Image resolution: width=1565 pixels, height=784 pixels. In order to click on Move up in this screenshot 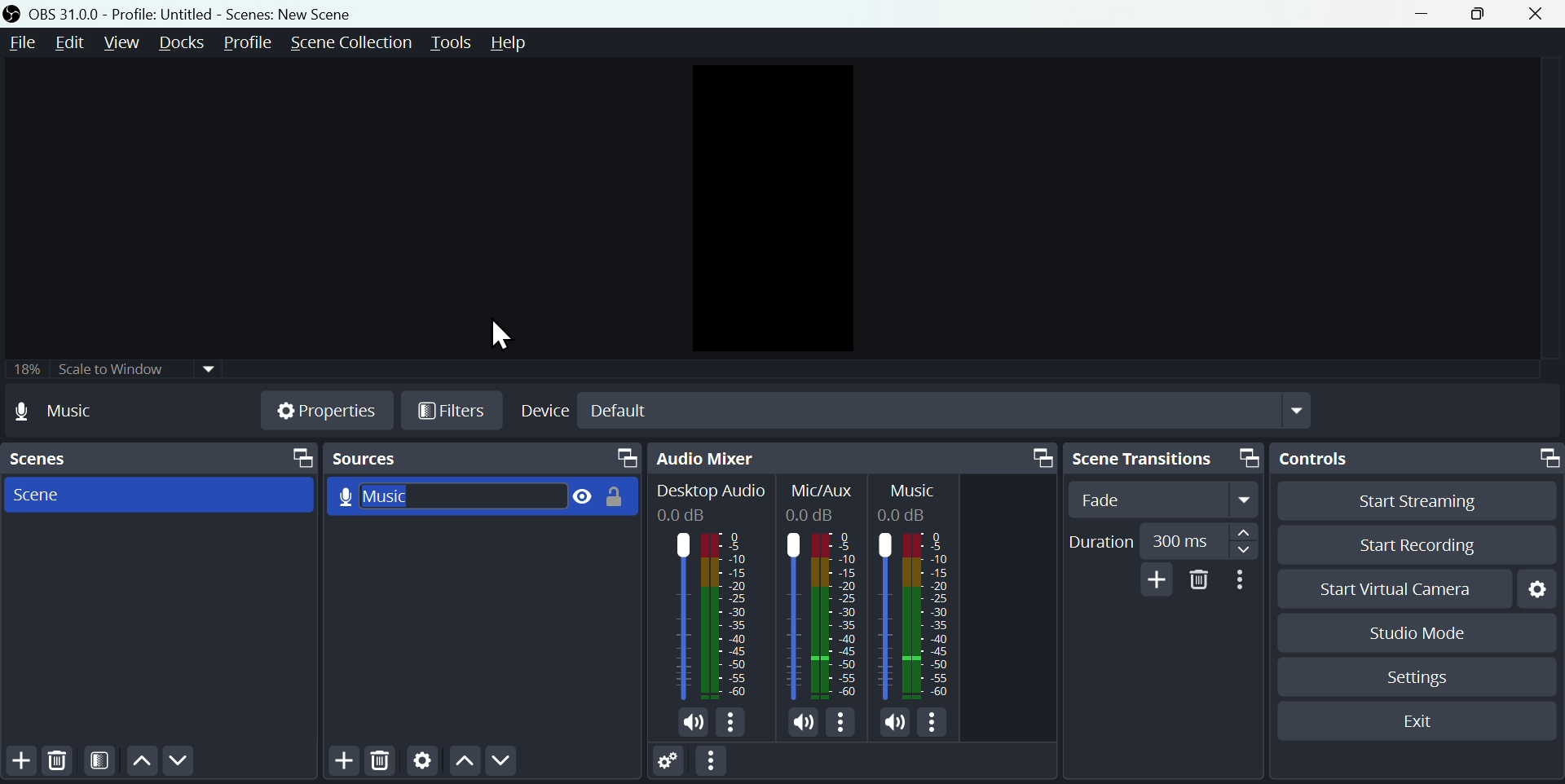, I will do `click(463, 762)`.